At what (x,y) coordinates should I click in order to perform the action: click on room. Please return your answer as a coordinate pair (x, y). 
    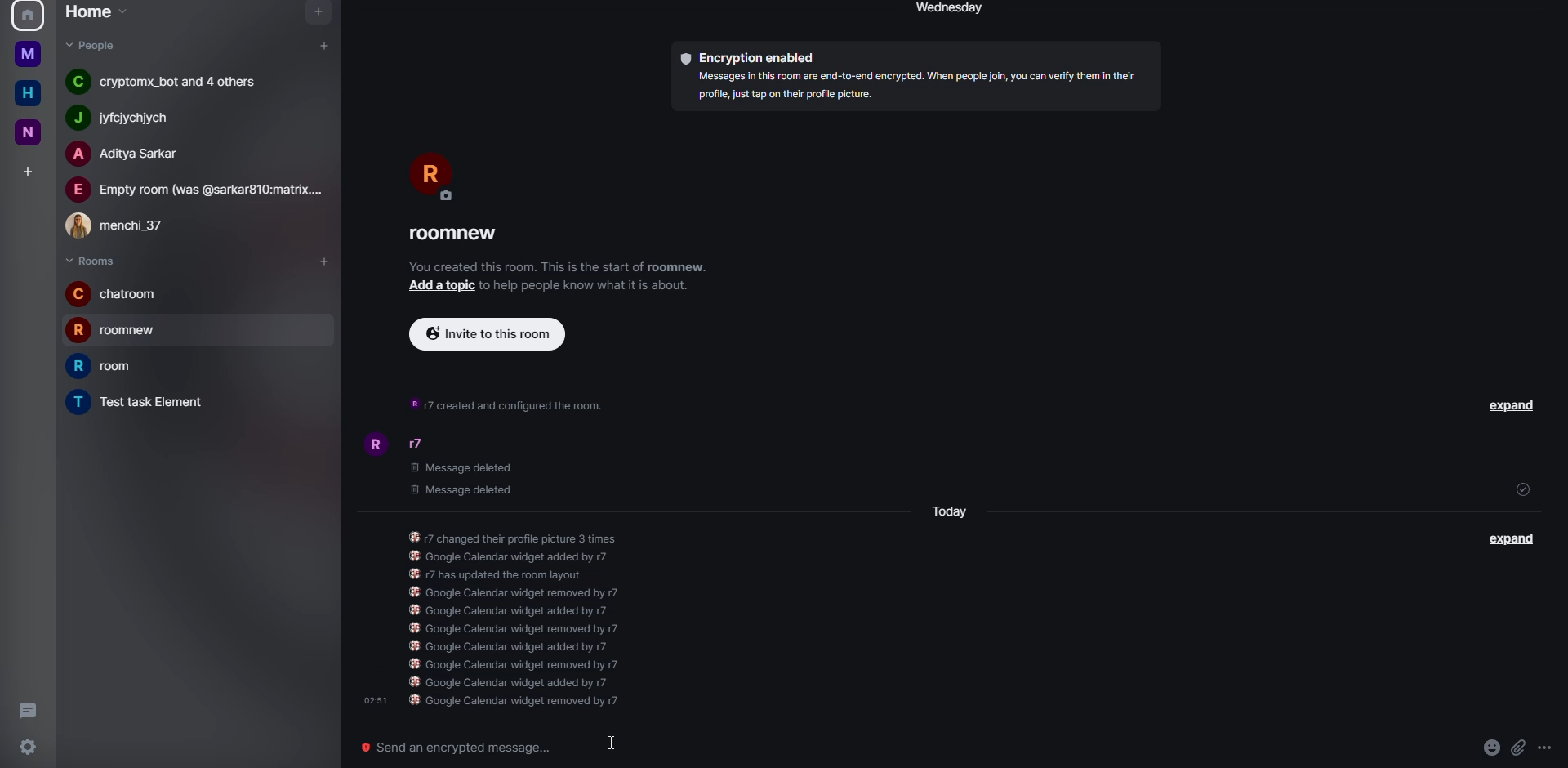
    Looking at the image, I should click on (459, 233).